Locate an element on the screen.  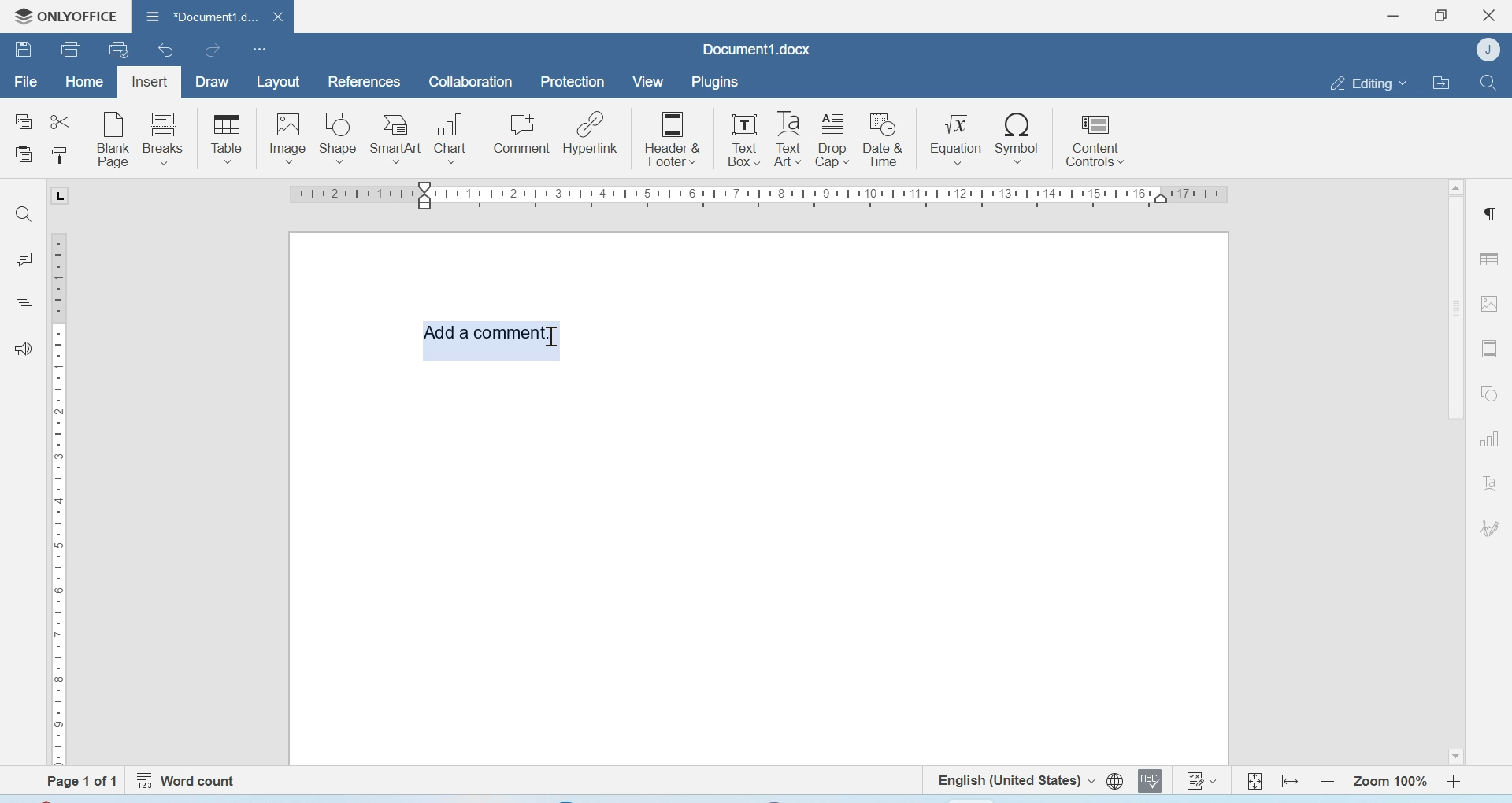
Layout is located at coordinates (277, 83).